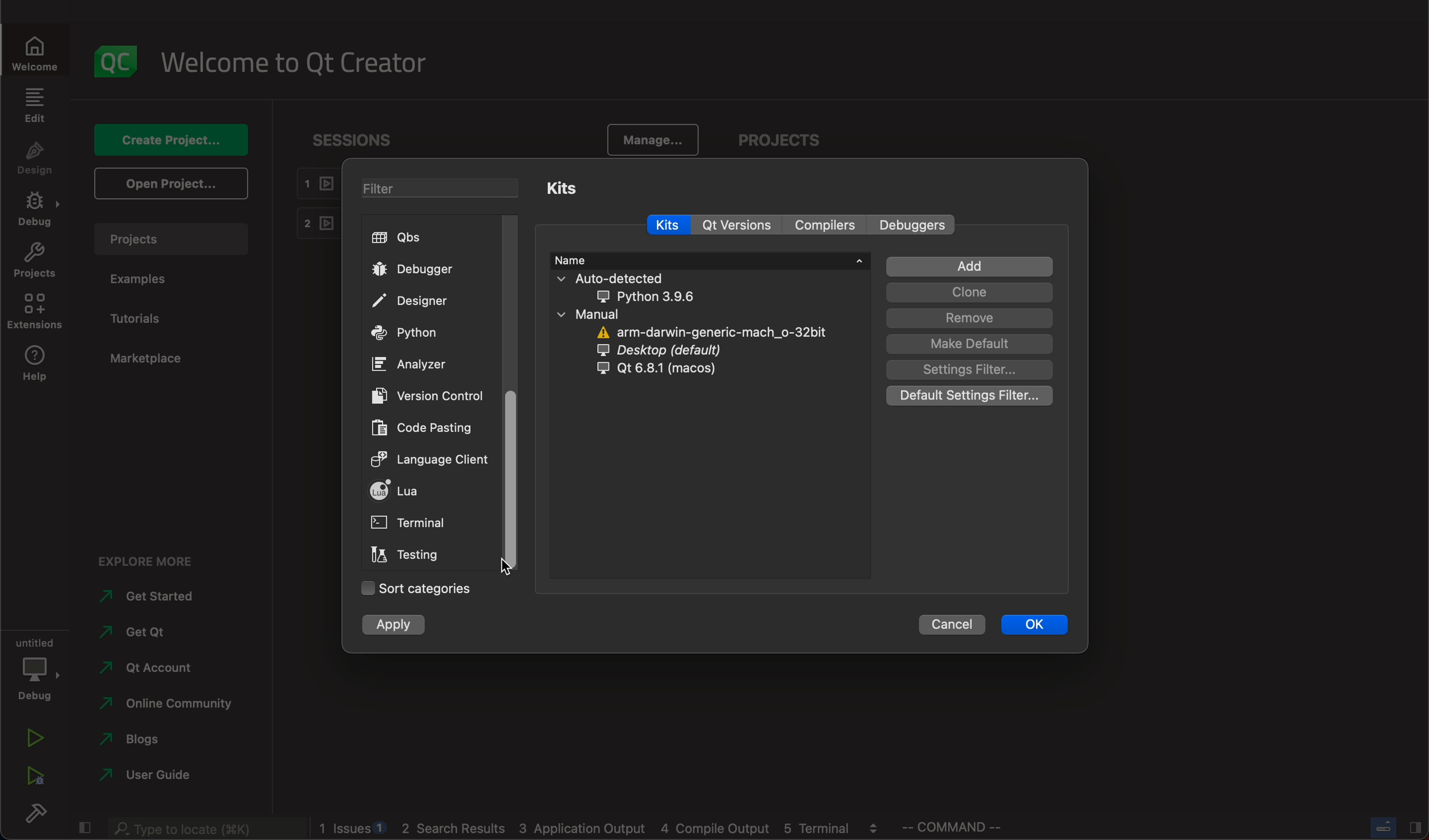  What do you see at coordinates (608, 315) in the screenshot?
I see `manual` at bounding box center [608, 315].